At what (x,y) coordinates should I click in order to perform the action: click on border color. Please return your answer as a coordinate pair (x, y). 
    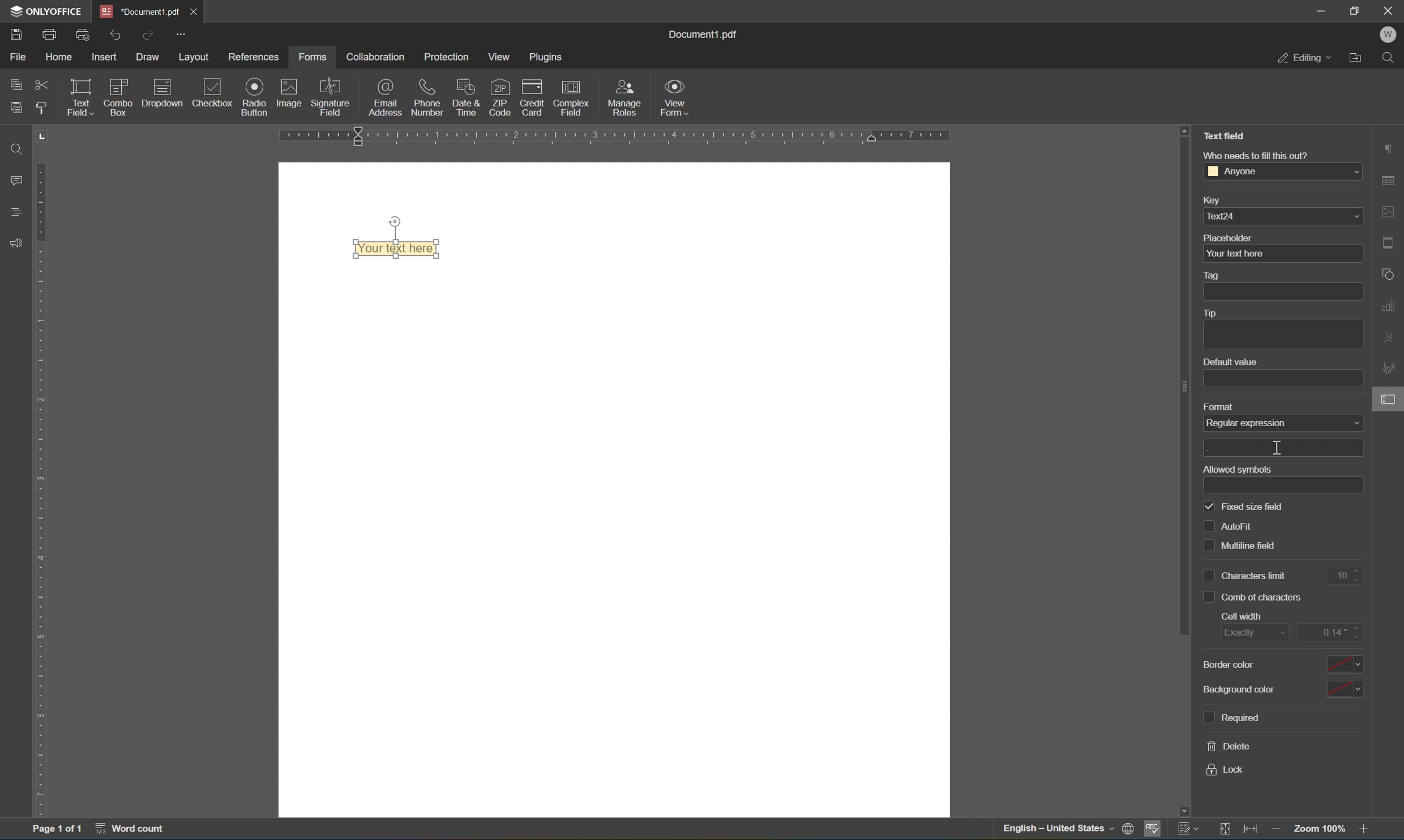
    Looking at the image, I should click on (1227, 664).